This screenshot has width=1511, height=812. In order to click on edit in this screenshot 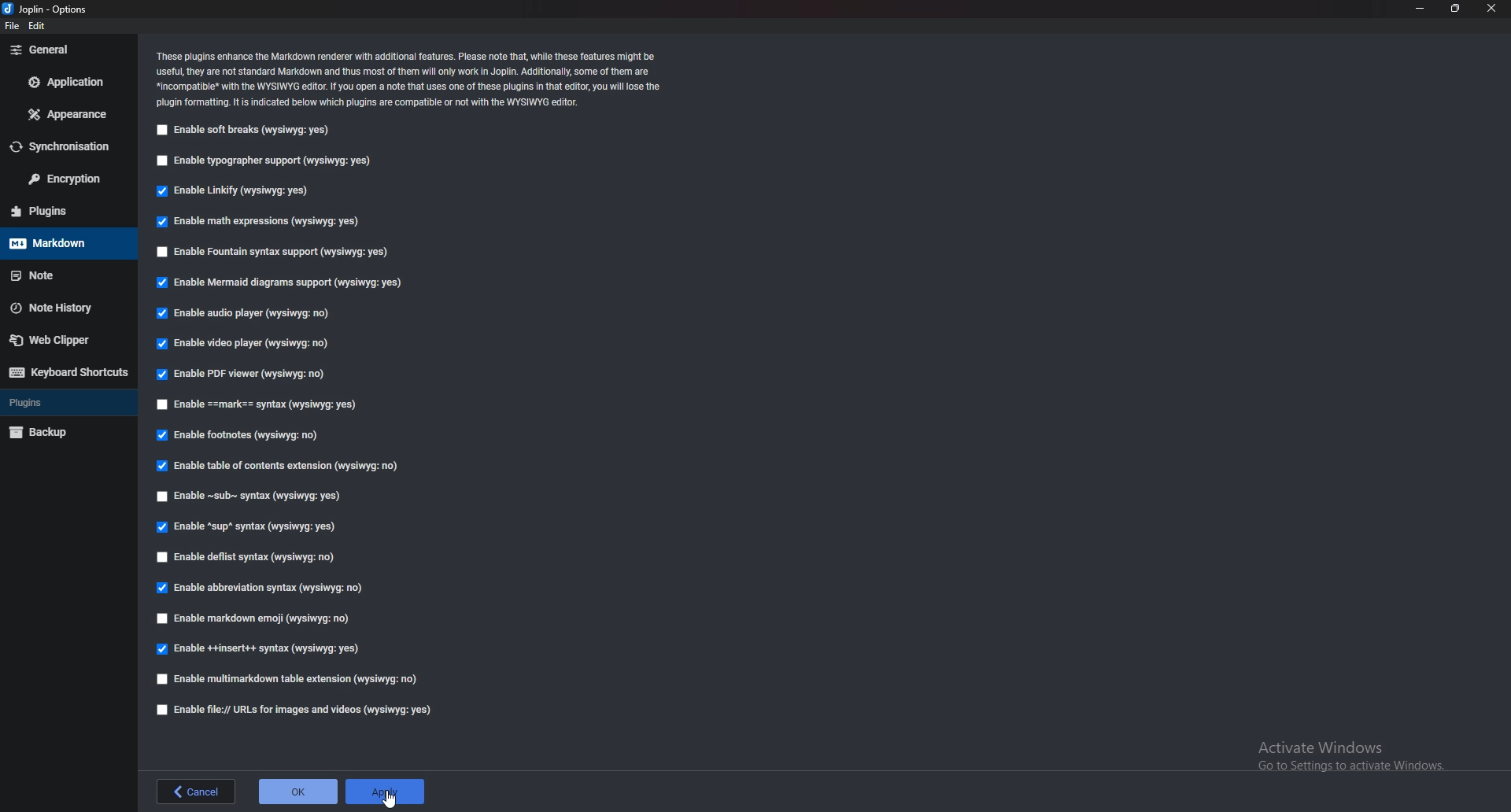, I will do `click(36, 26)`.